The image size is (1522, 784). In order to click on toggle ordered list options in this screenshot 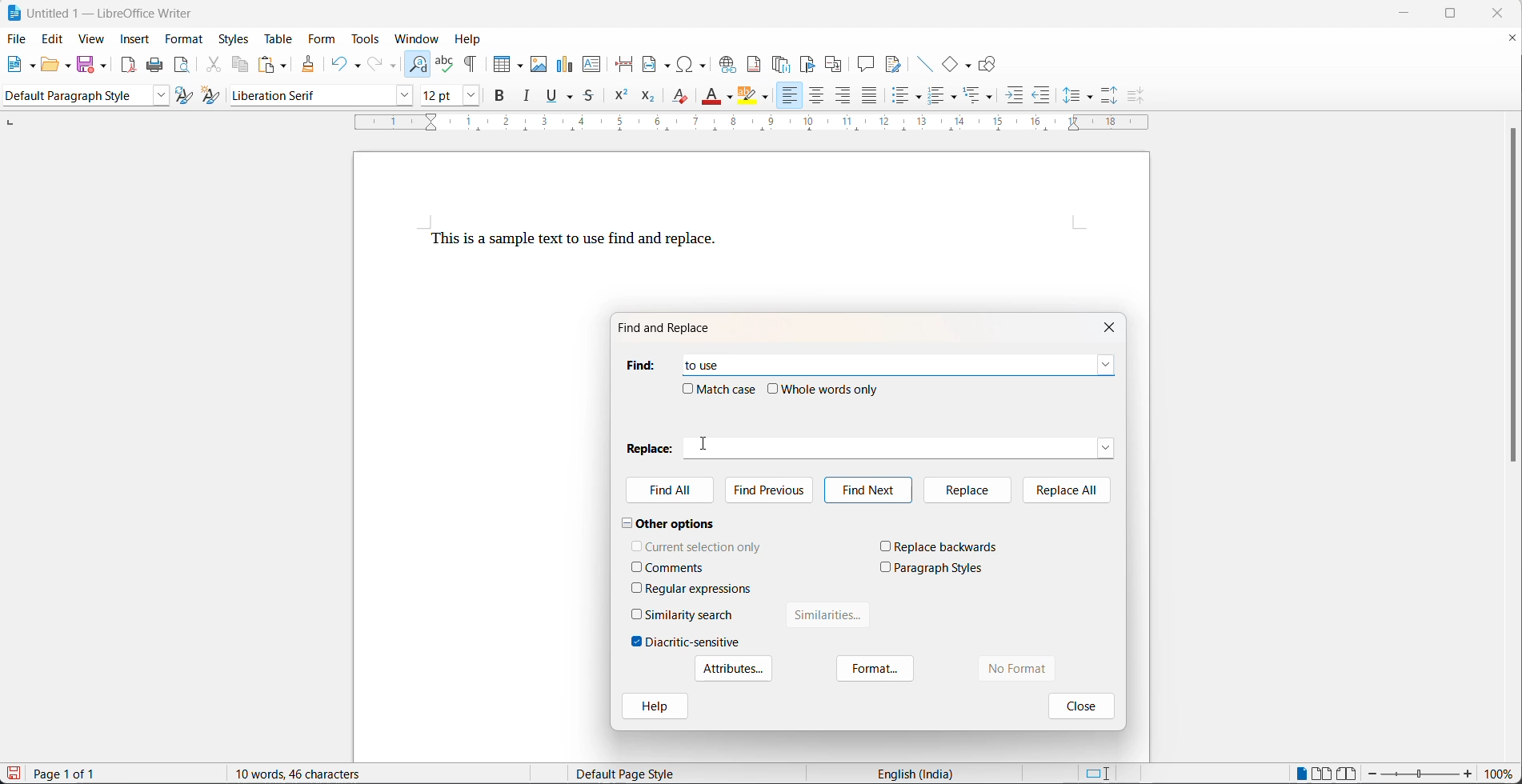, I will do `click(956, 98)`.